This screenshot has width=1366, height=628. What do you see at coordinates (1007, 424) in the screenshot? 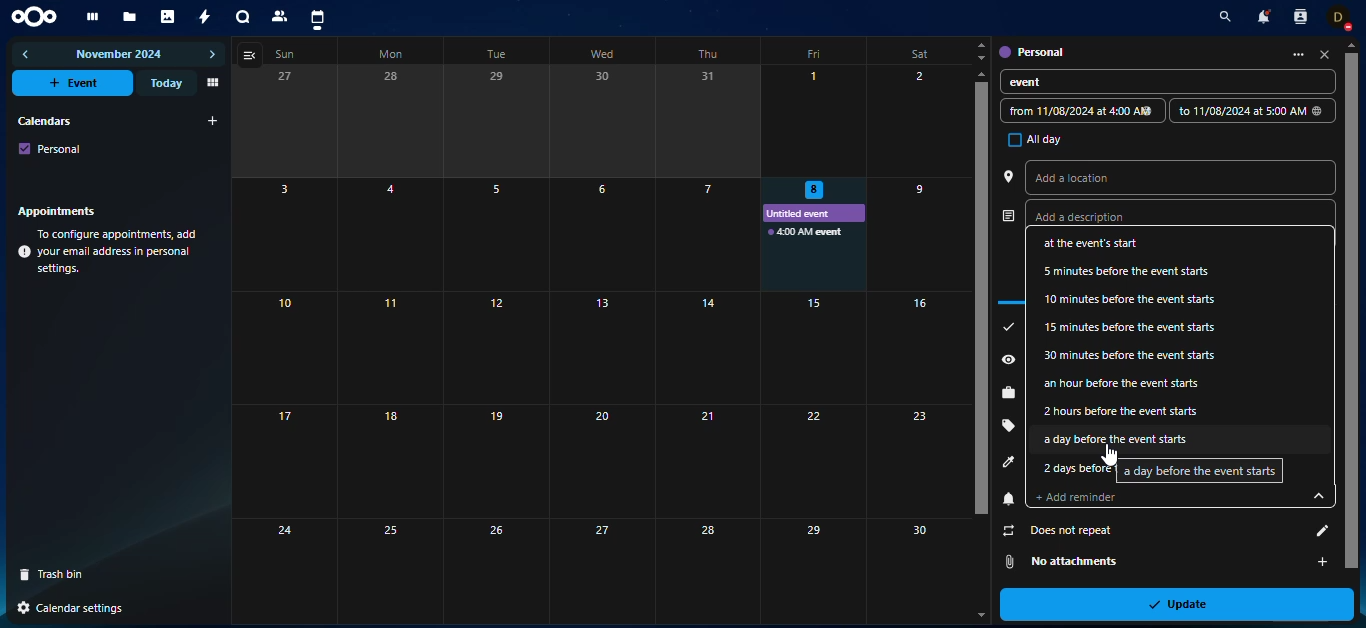
I see `tag` at bounding box center [1007, 424].